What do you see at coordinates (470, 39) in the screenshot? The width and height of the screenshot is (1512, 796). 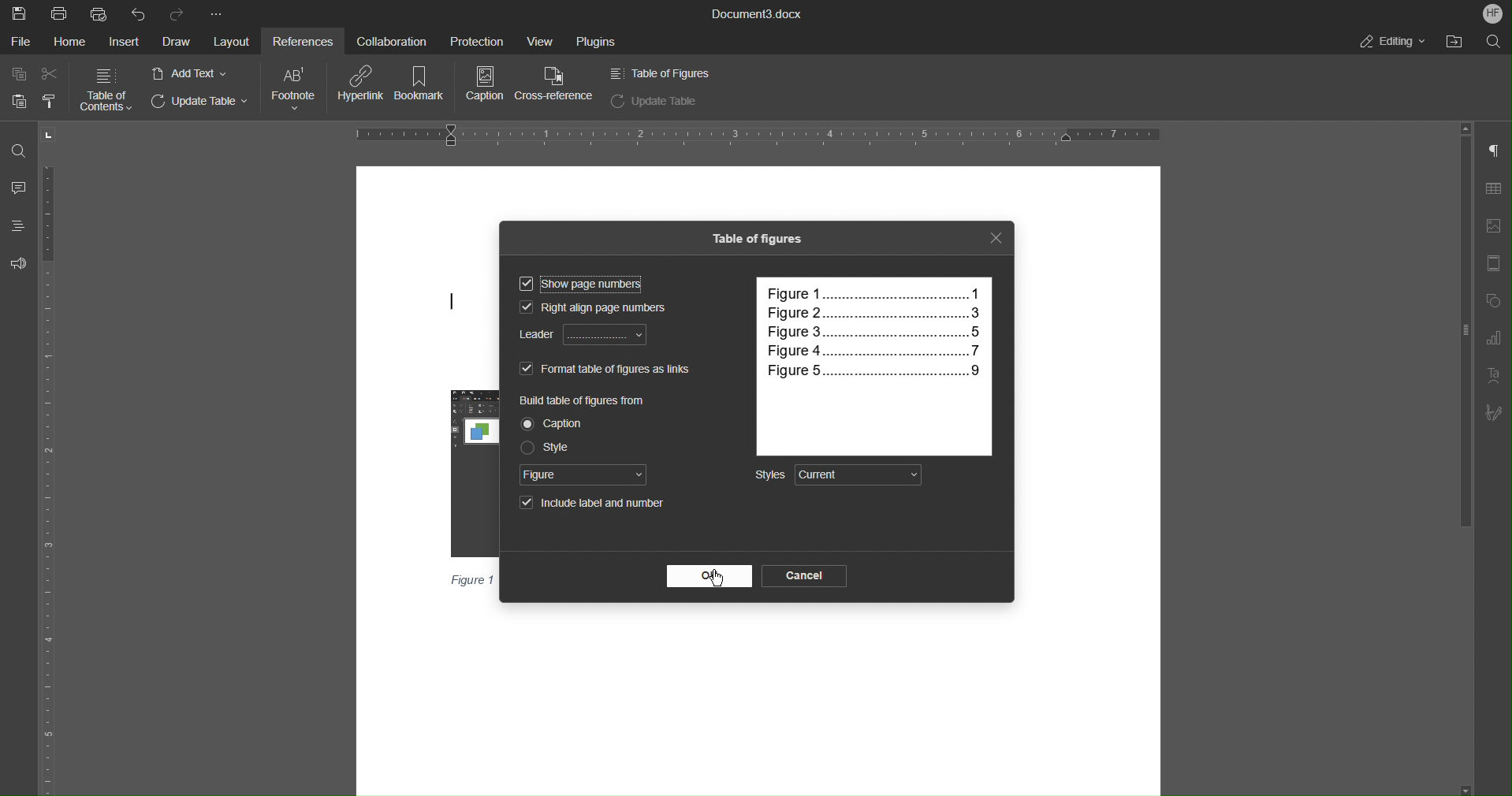 I see `Protection` at bounding box center [470, 39].